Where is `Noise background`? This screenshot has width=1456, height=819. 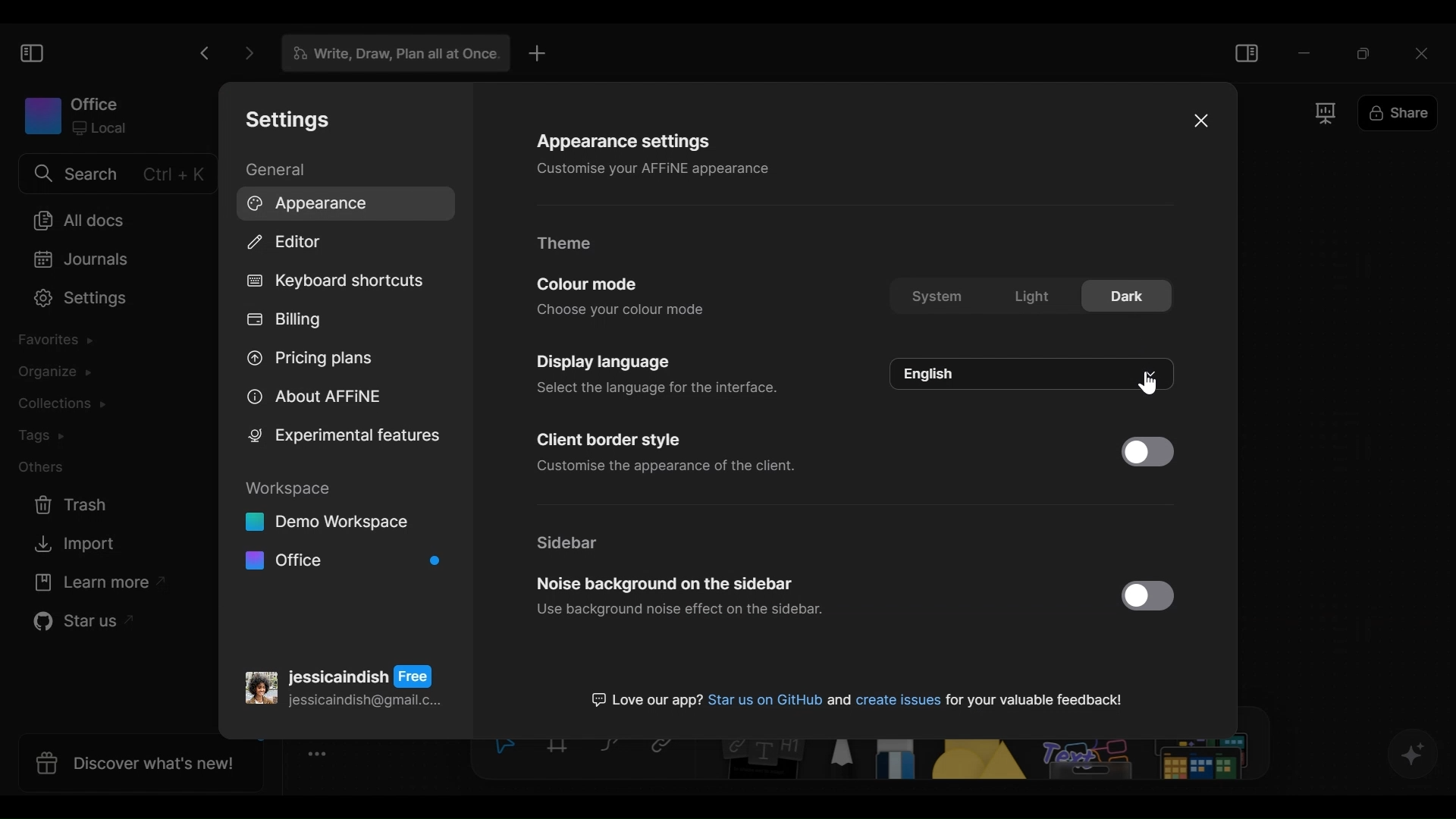 Noise background is located at coordinates (679, 599).